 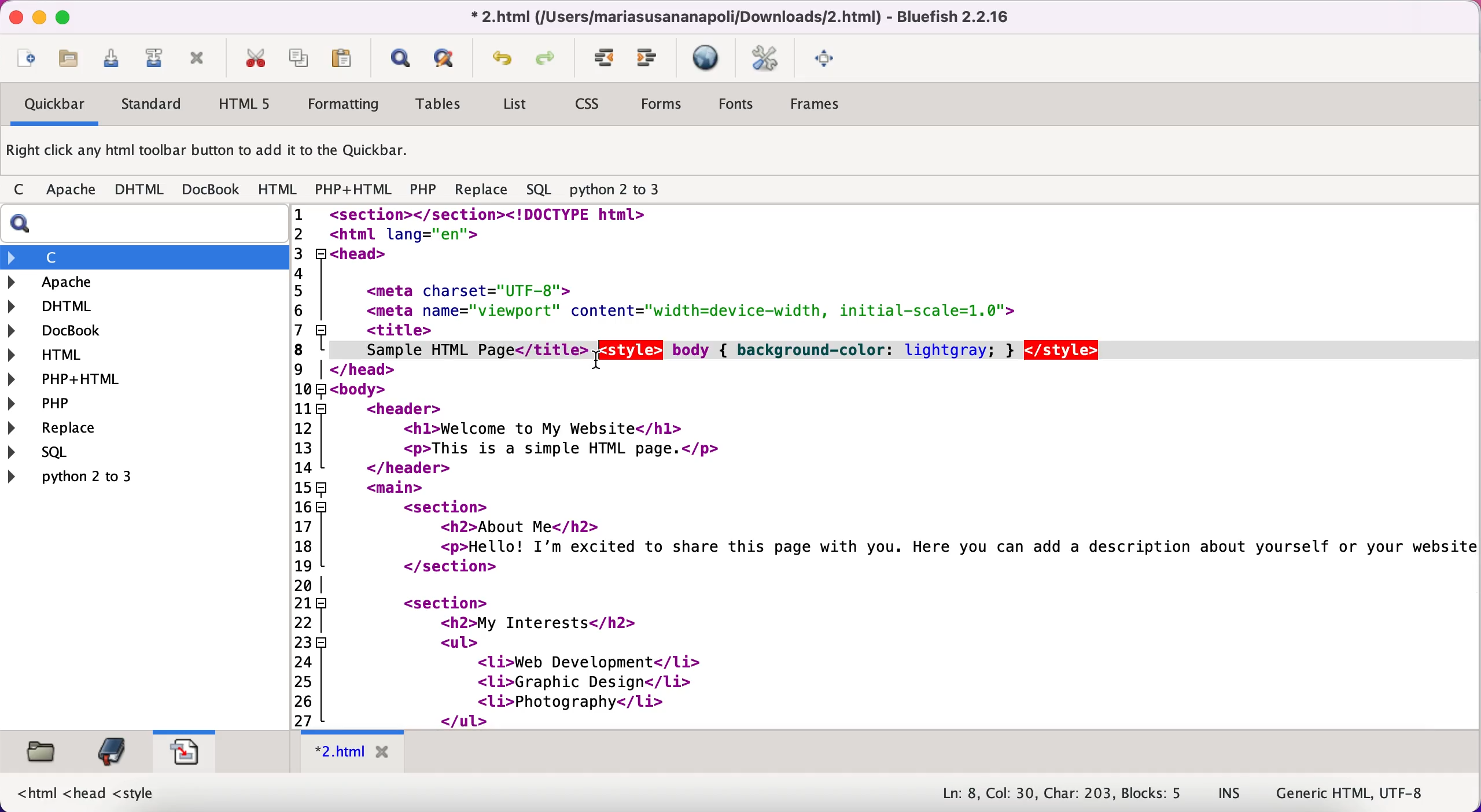 I want to click on indent, so click(x=605, y=58).